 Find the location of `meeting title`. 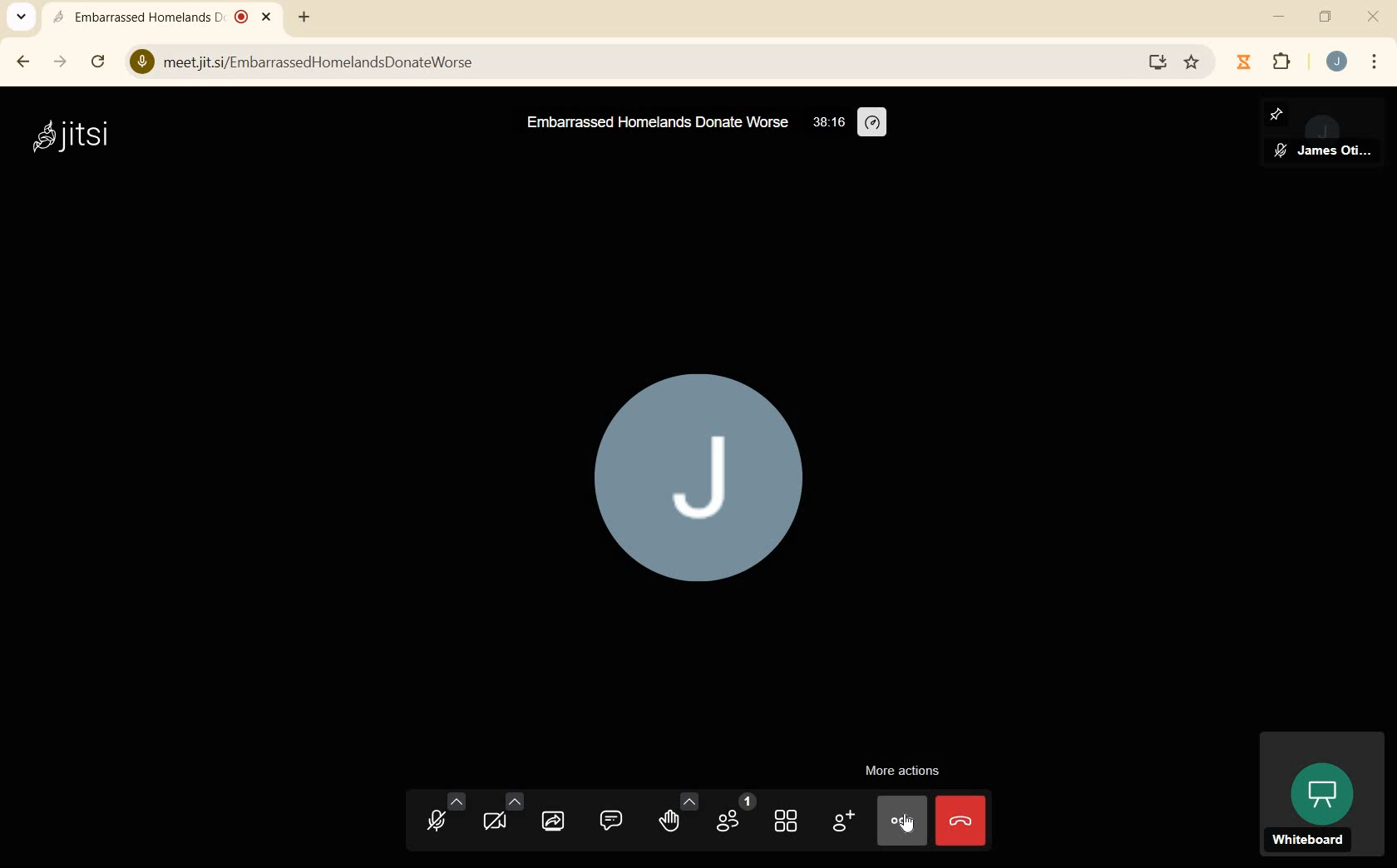

meeting title is located at coordinates (655, 125).